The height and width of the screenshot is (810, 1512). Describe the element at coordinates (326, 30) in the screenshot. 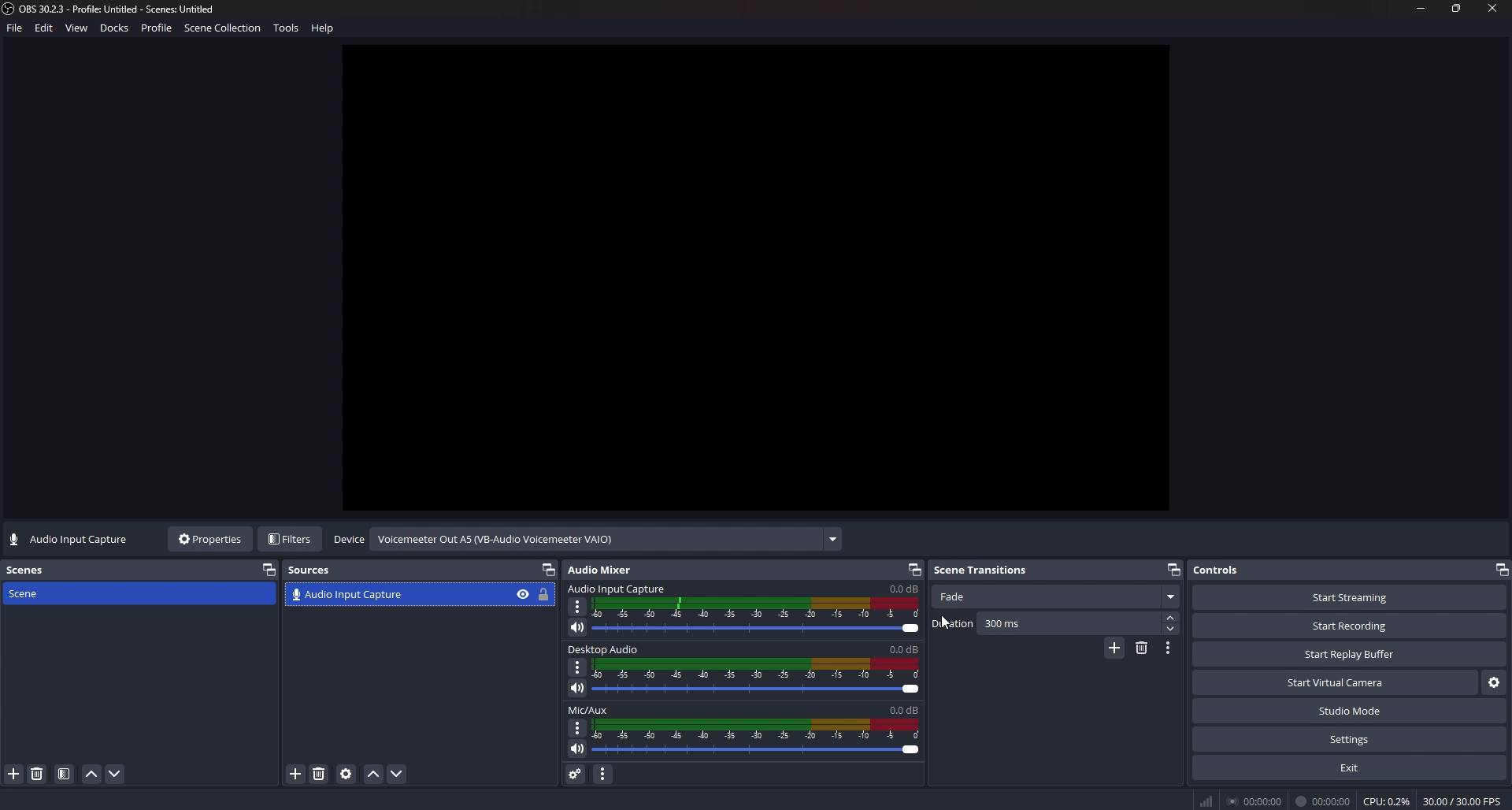

I see `help` at that location.